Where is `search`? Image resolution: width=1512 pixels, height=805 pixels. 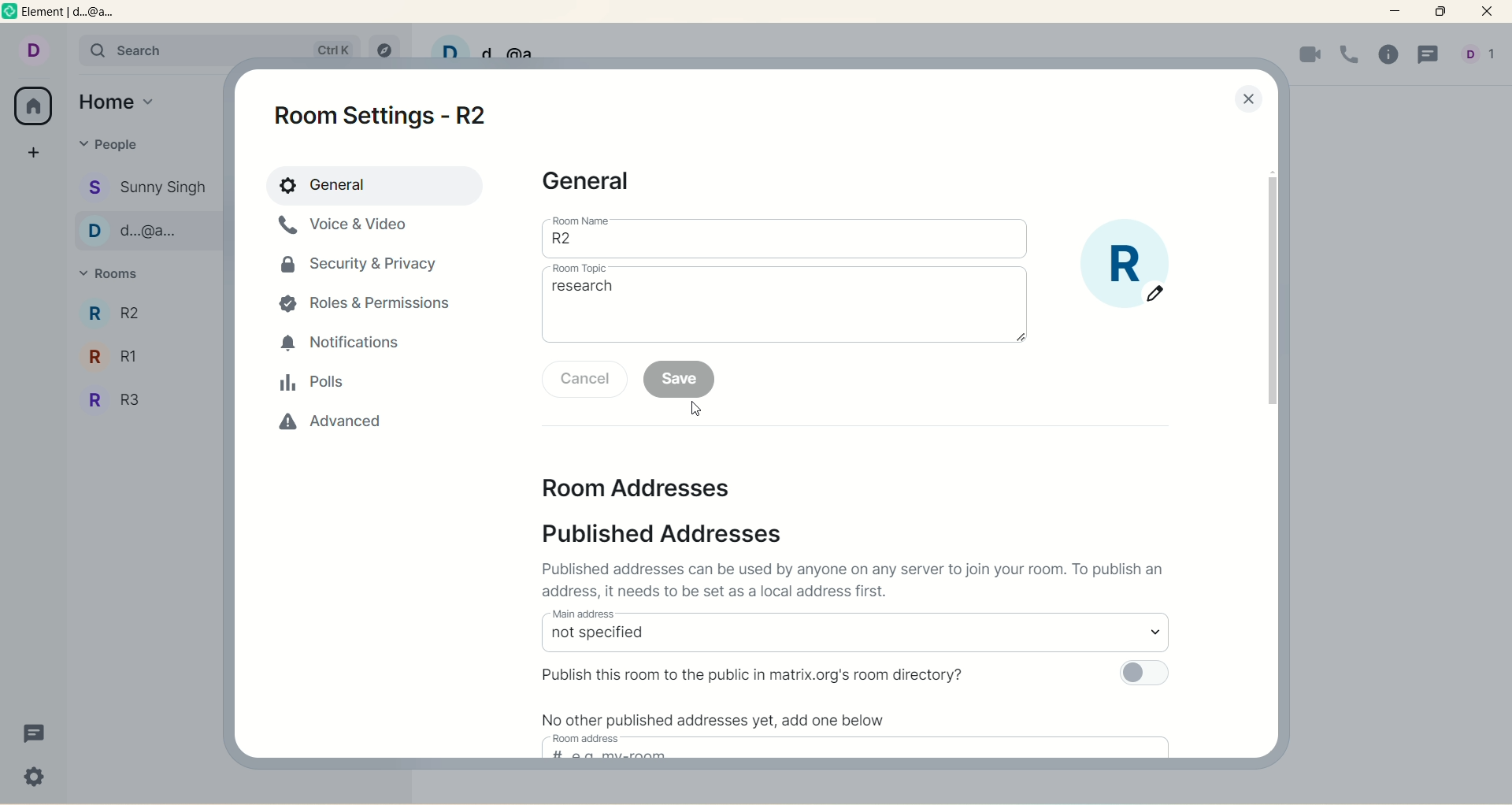
search is located at coordinates (152, 51).